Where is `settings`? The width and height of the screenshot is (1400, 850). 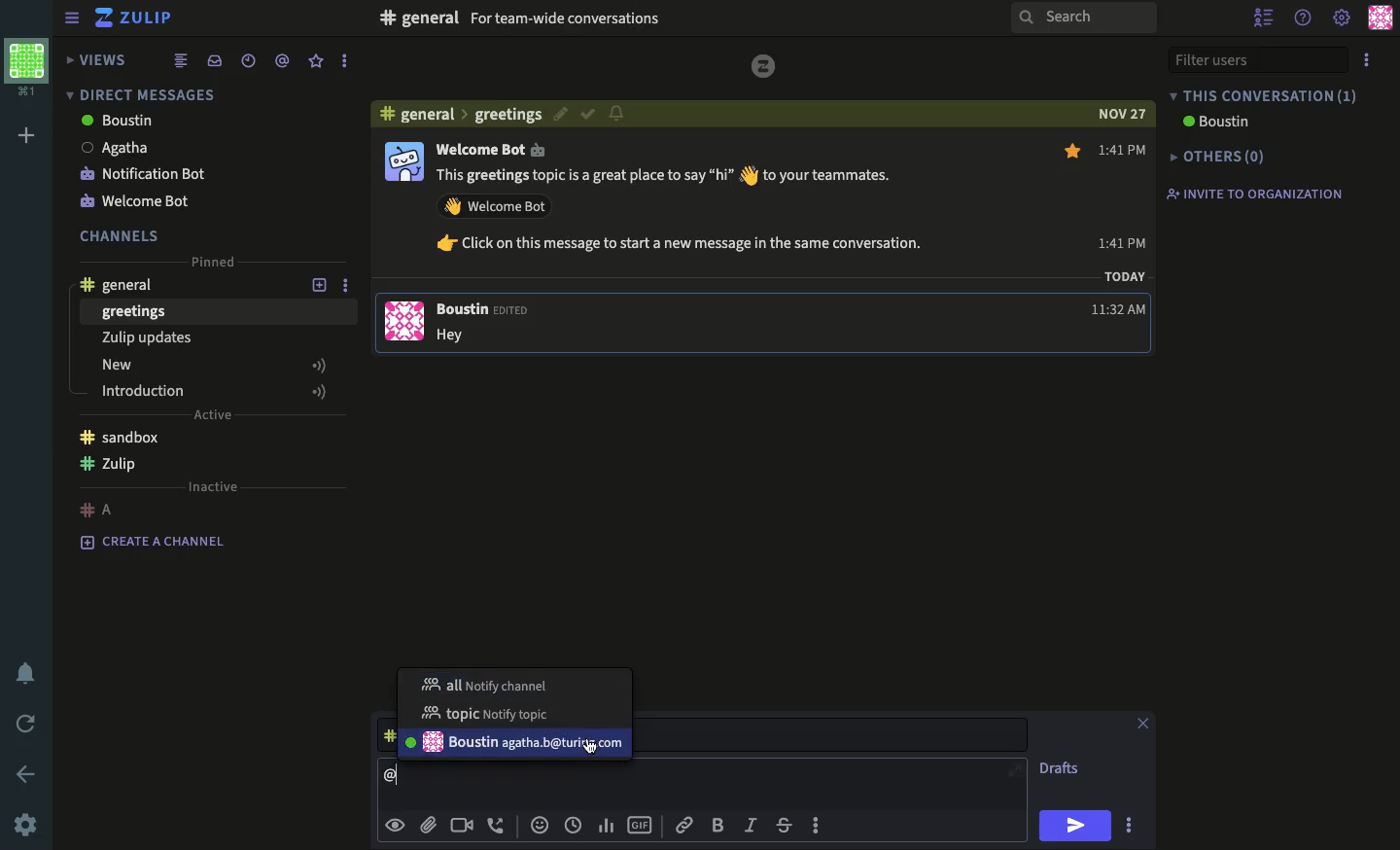
settings is located at coordinates (1343, 19).